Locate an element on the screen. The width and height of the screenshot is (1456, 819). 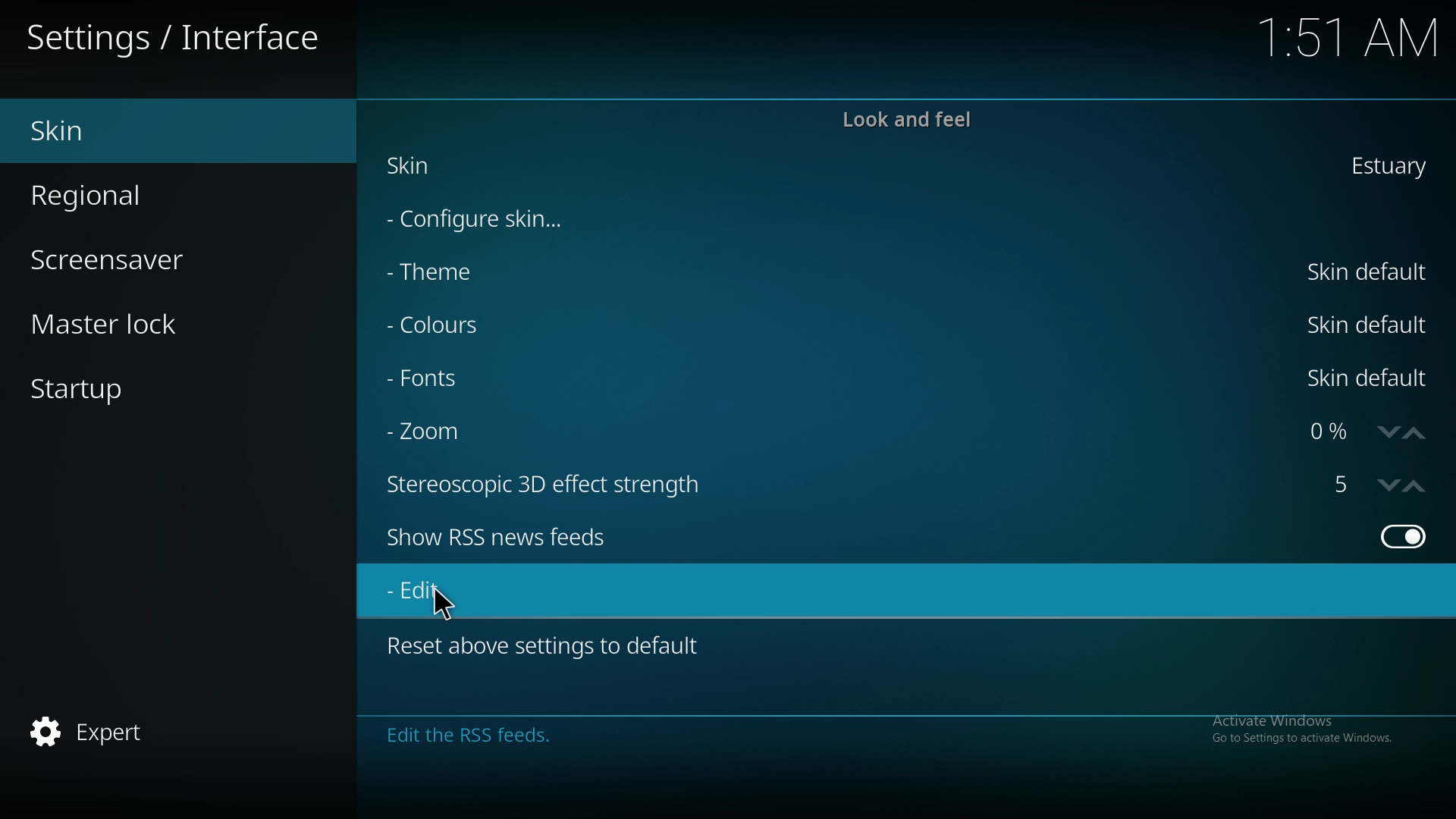
zoom is located at coordinates (1326, 433).